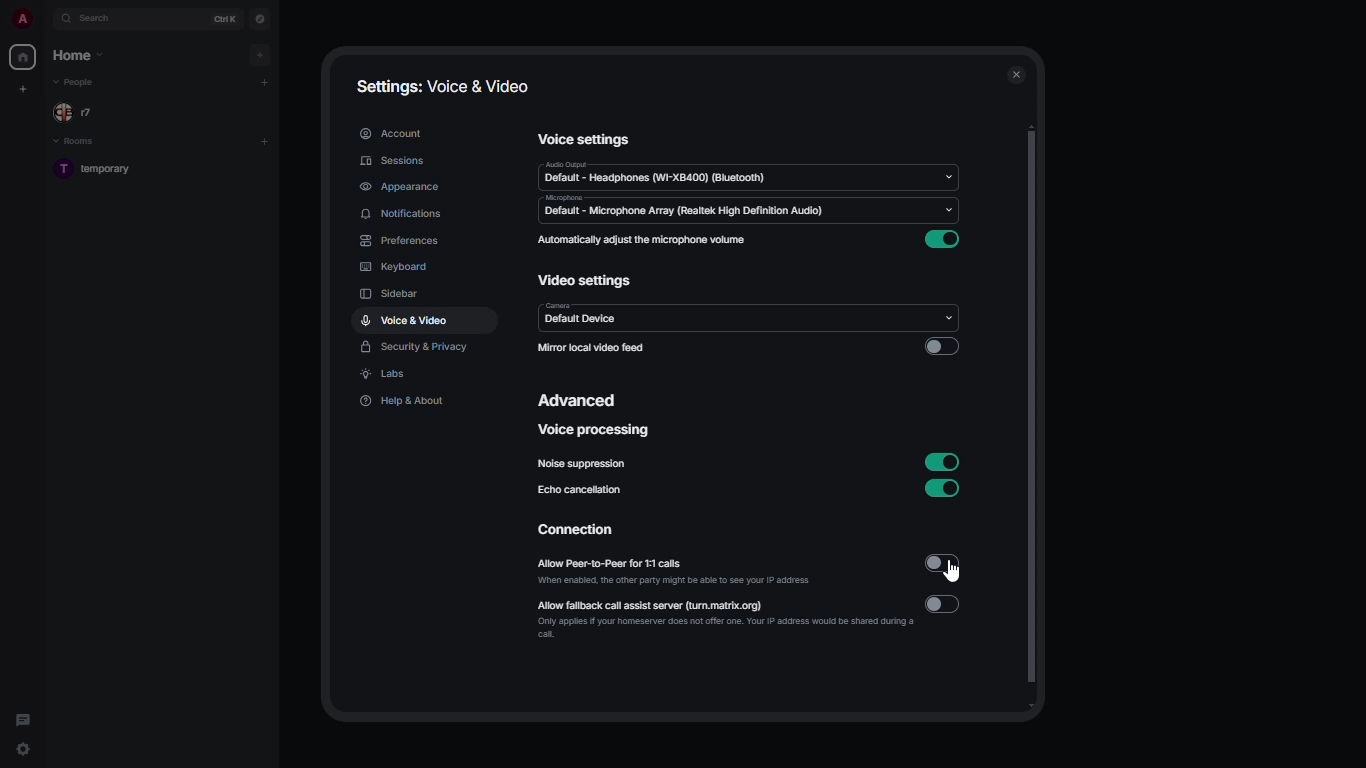 This screenshot has width=1366, height=768. Describe the element at coordinates (946, 606) in the screenshot. I see `disabled` at that location.